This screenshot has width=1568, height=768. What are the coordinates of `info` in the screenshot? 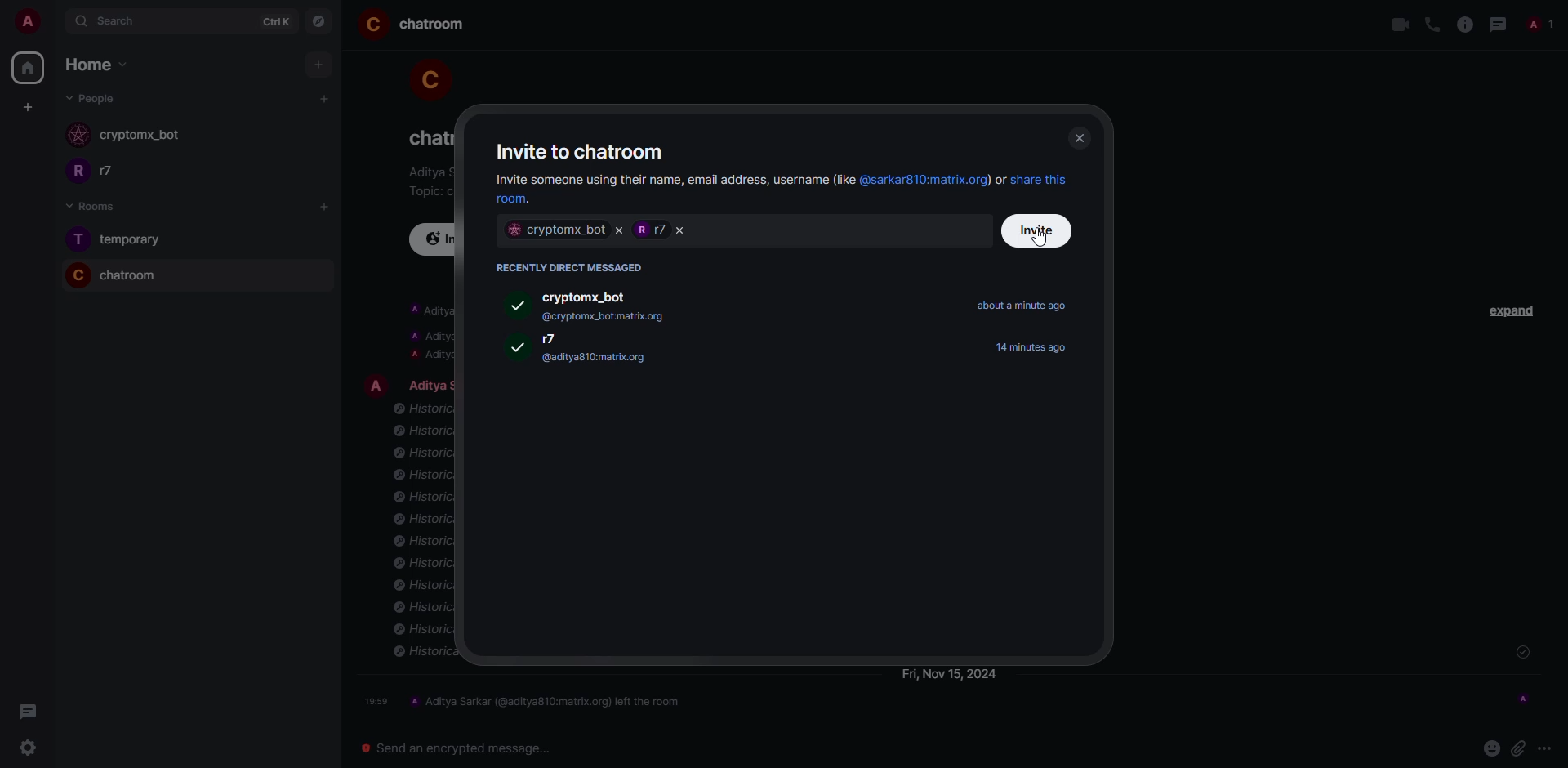 It's located at (427, 172).